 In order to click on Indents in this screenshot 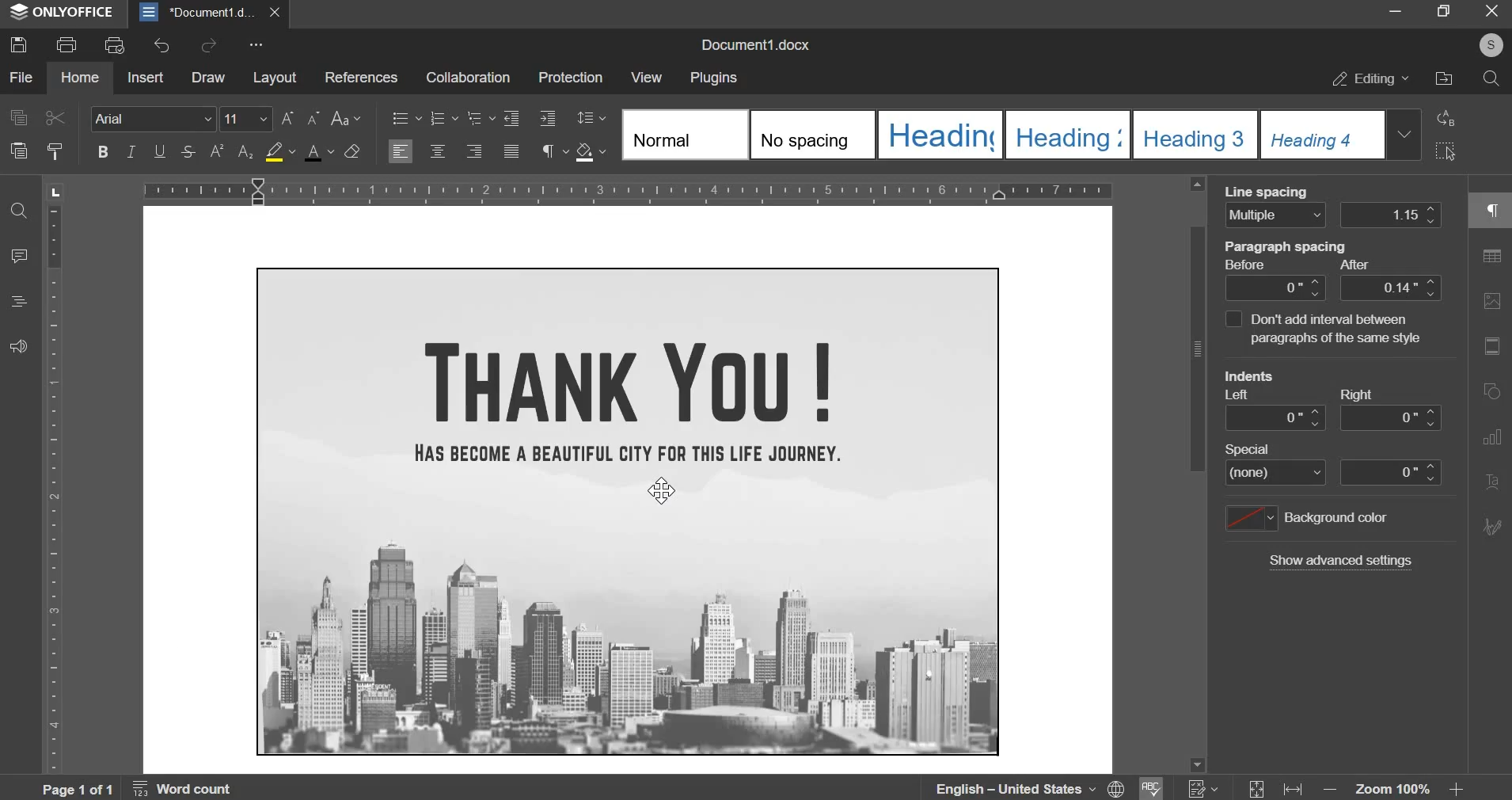, I will do `click(1256, 375)`.